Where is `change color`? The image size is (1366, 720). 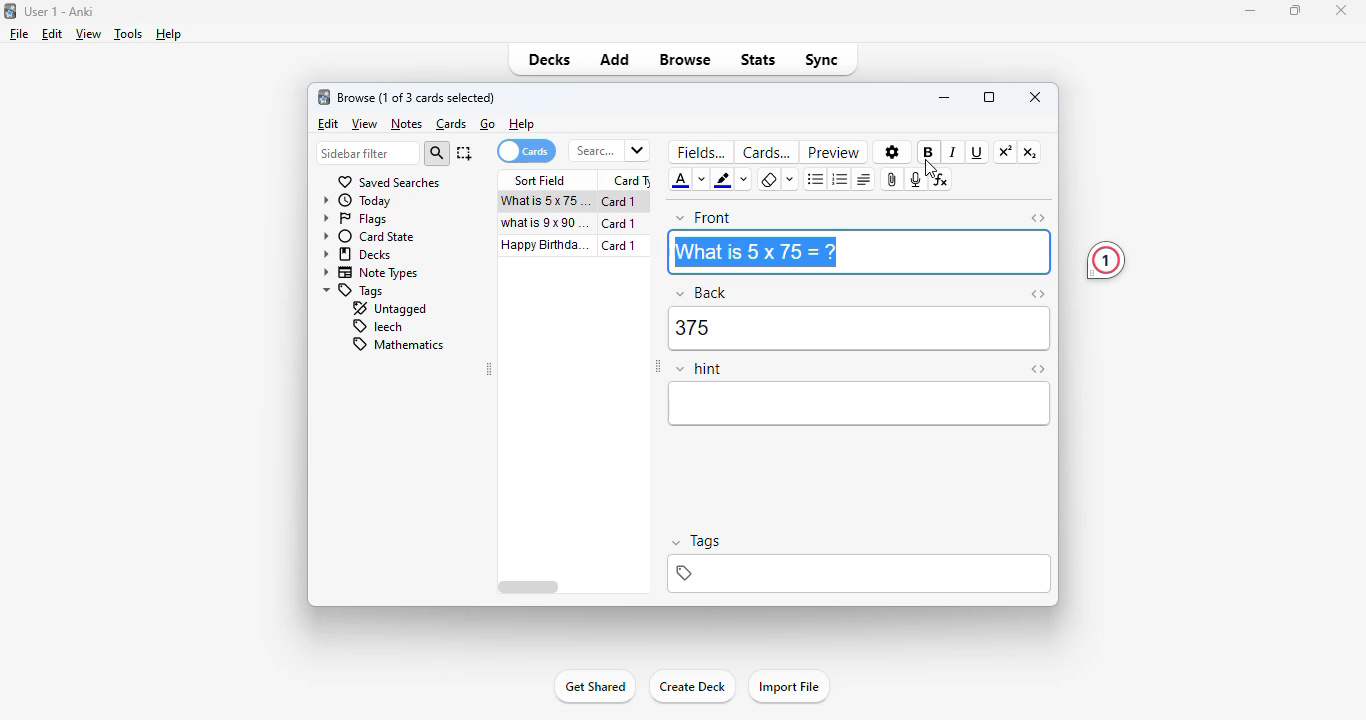 change color is located at coordinates (744, 181).